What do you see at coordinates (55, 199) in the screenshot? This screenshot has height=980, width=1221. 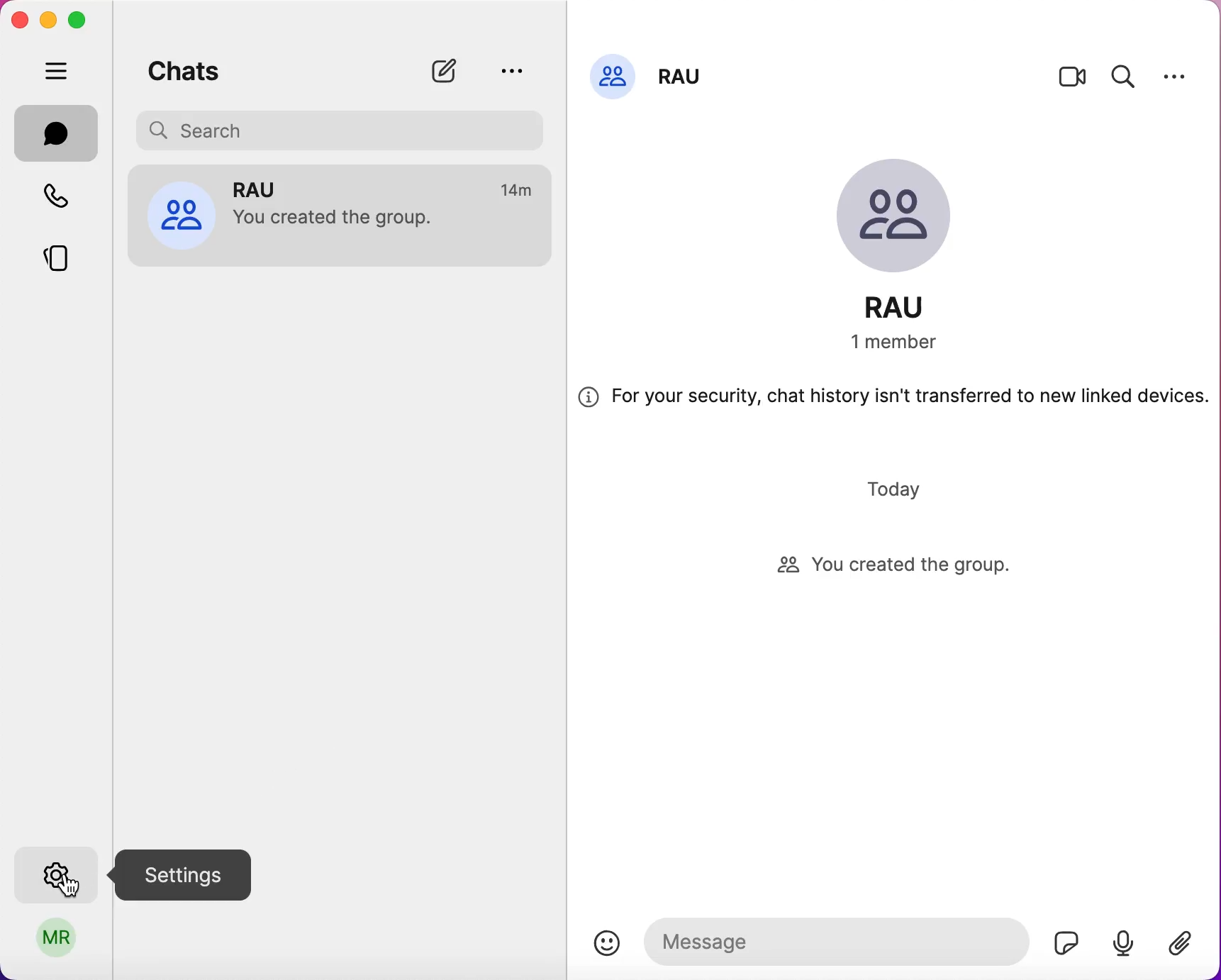 I see `calls` at bounding box center [55, 199].